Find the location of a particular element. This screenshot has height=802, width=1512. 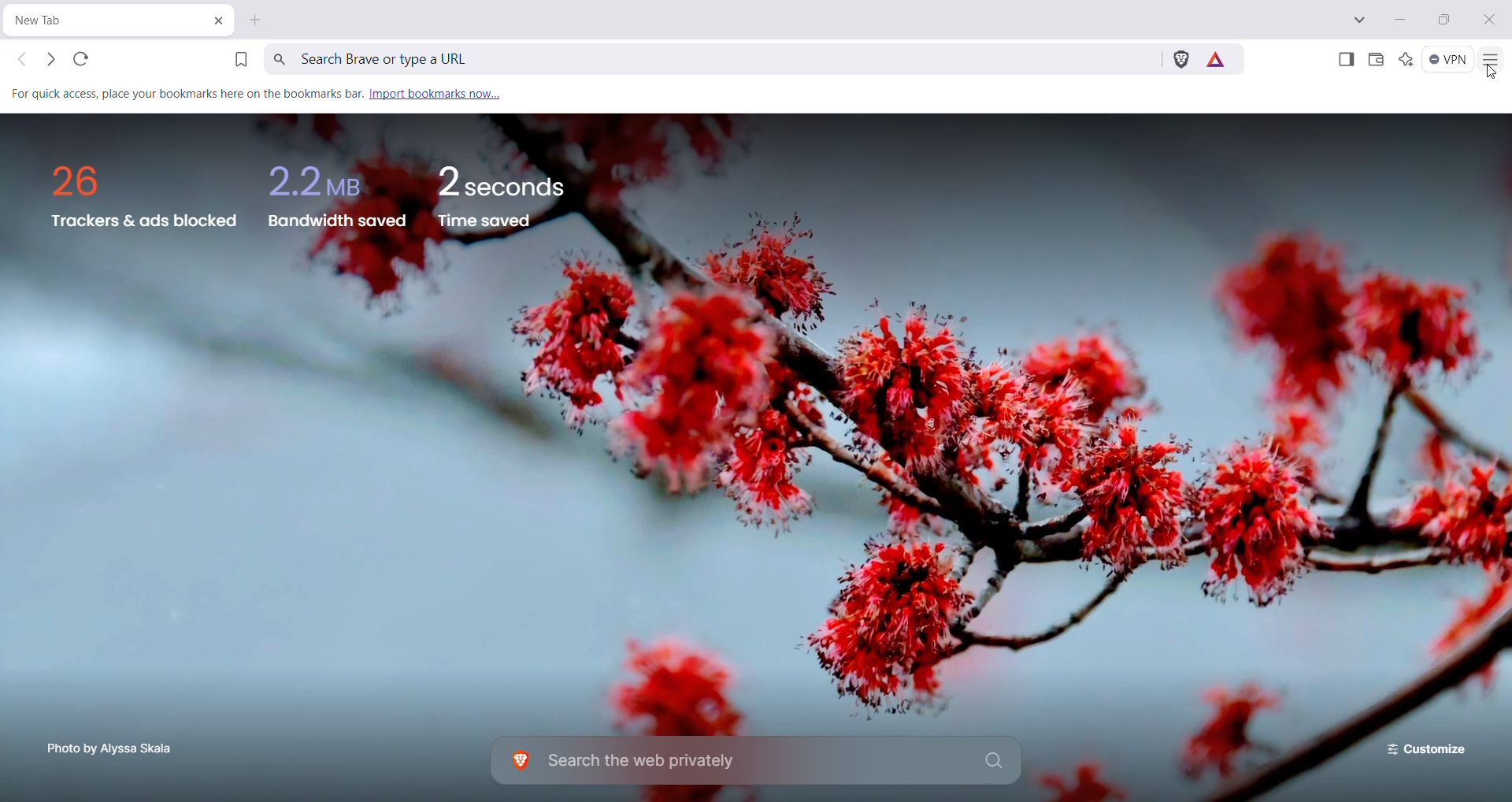

Minimize is located at coordinates (1399, 19).